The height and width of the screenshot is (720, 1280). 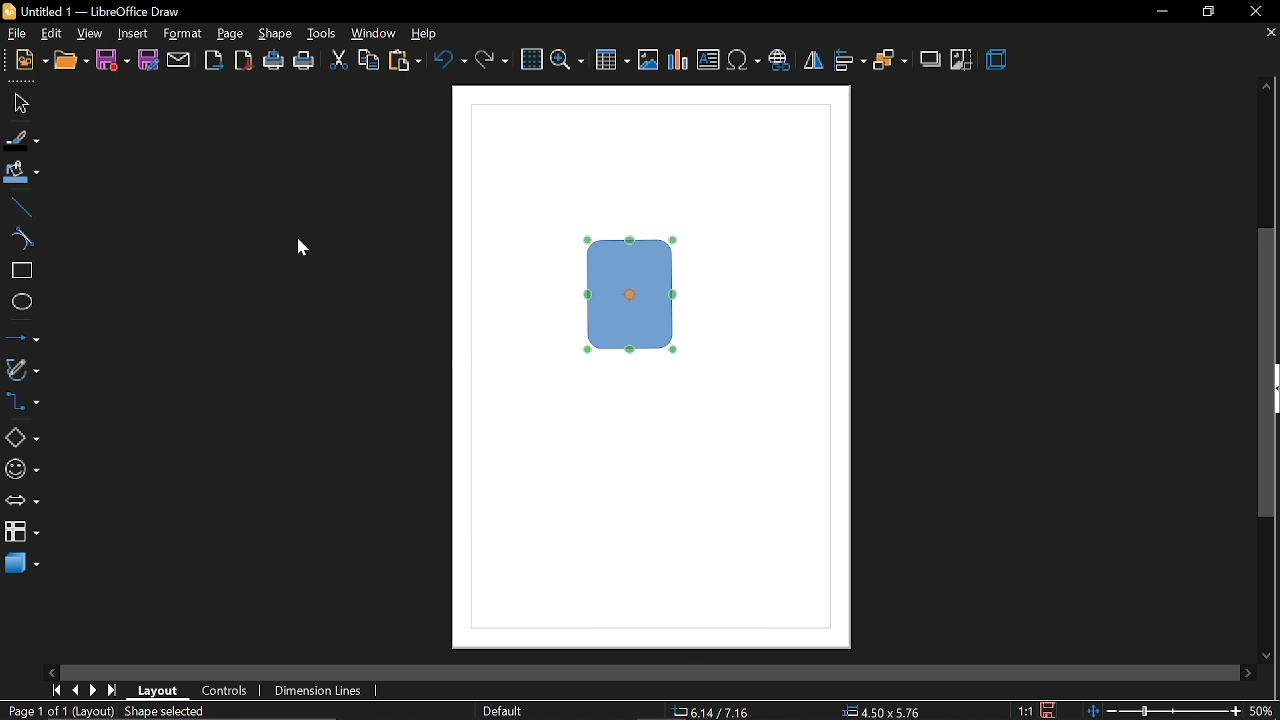 I want to click on basic shapes, so click(x=21, y=435).